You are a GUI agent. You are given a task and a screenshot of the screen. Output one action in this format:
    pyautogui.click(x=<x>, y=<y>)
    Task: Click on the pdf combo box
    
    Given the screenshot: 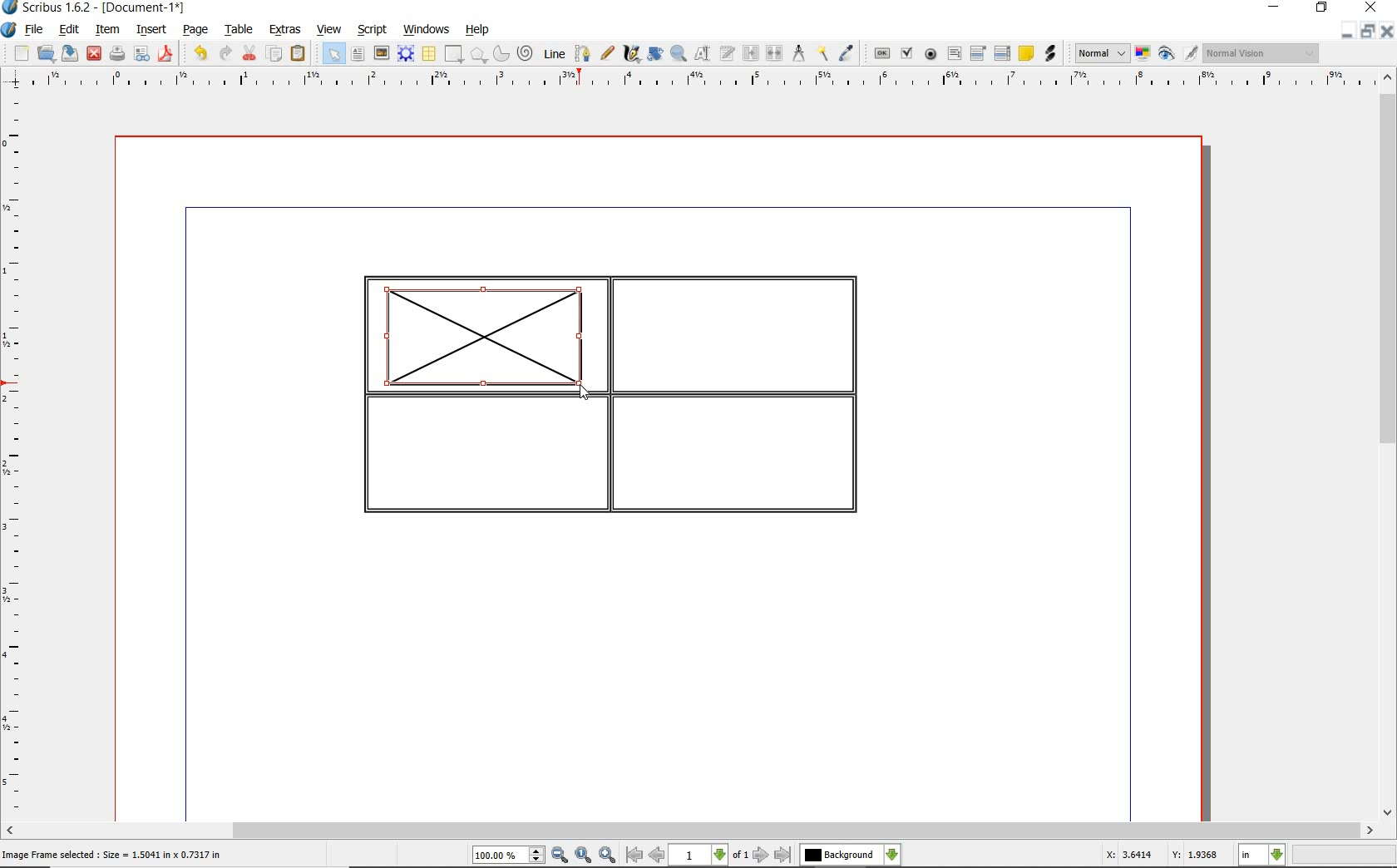 What is the action you would take?
    pyautogui.click(x=980, y=54)
    